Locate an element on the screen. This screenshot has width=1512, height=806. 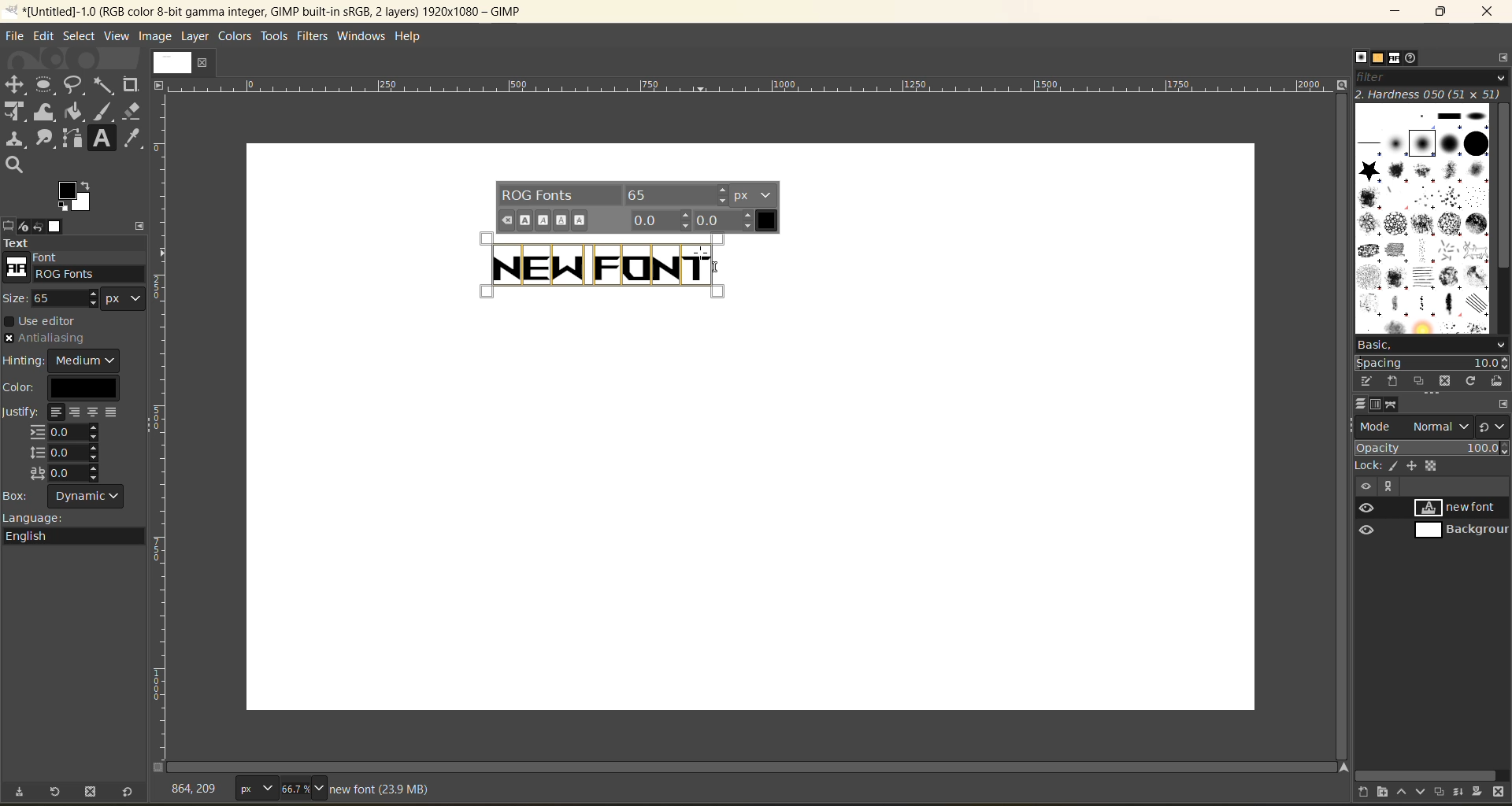
configure is located at coordinates (1503, 60).